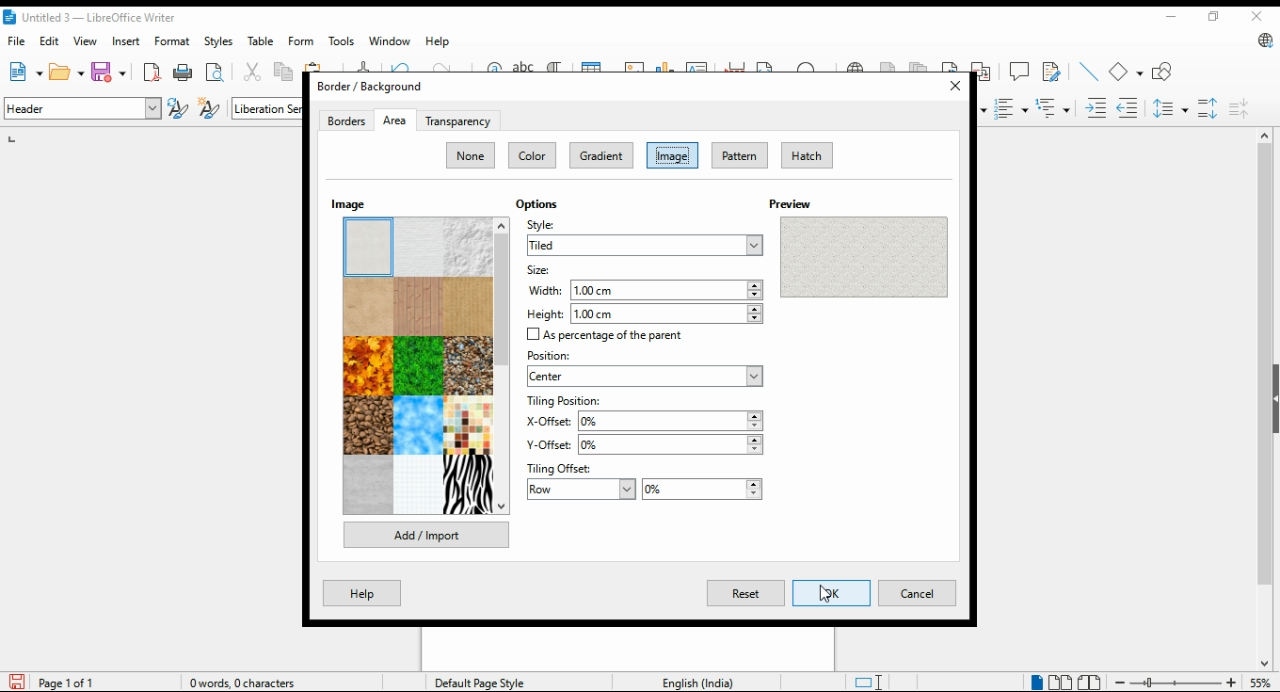 The width and height of the screenshot is (1280, 692). I want to click on insert, so click(125, 41).